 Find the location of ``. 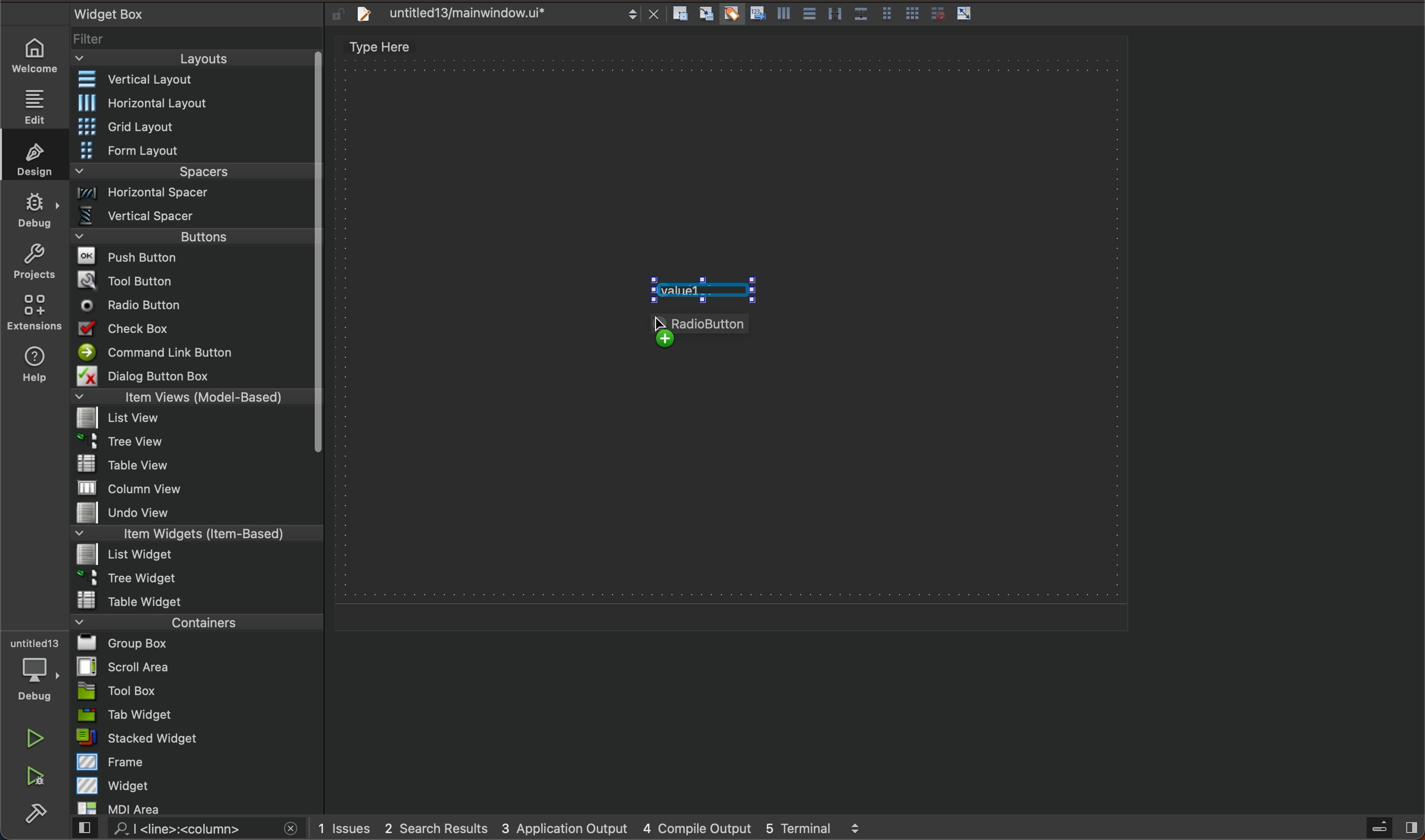

 is located at coordinates (200, 103).